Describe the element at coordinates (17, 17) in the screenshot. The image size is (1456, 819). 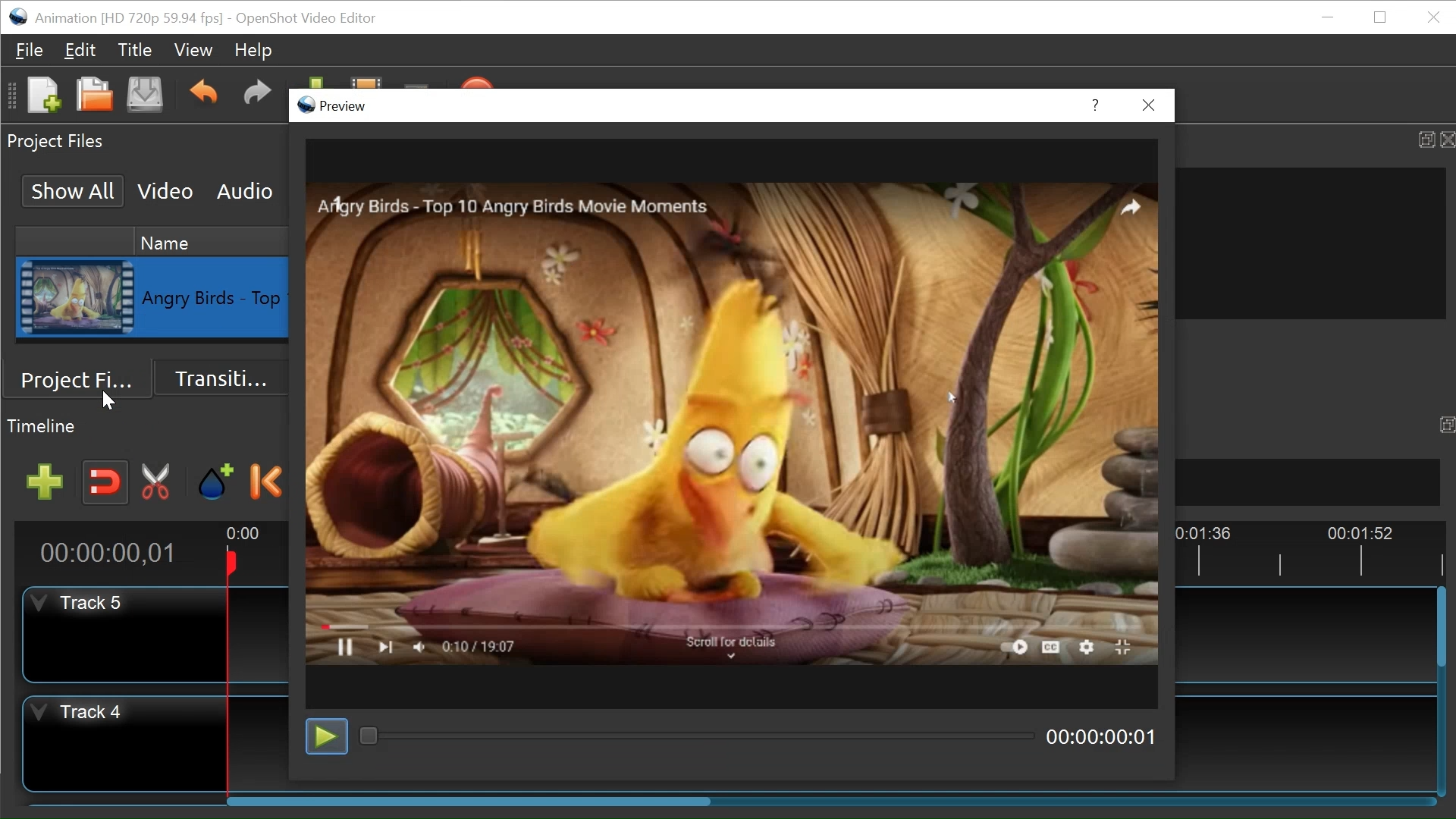
I see `OpenShot Desktop Icon` at that location.